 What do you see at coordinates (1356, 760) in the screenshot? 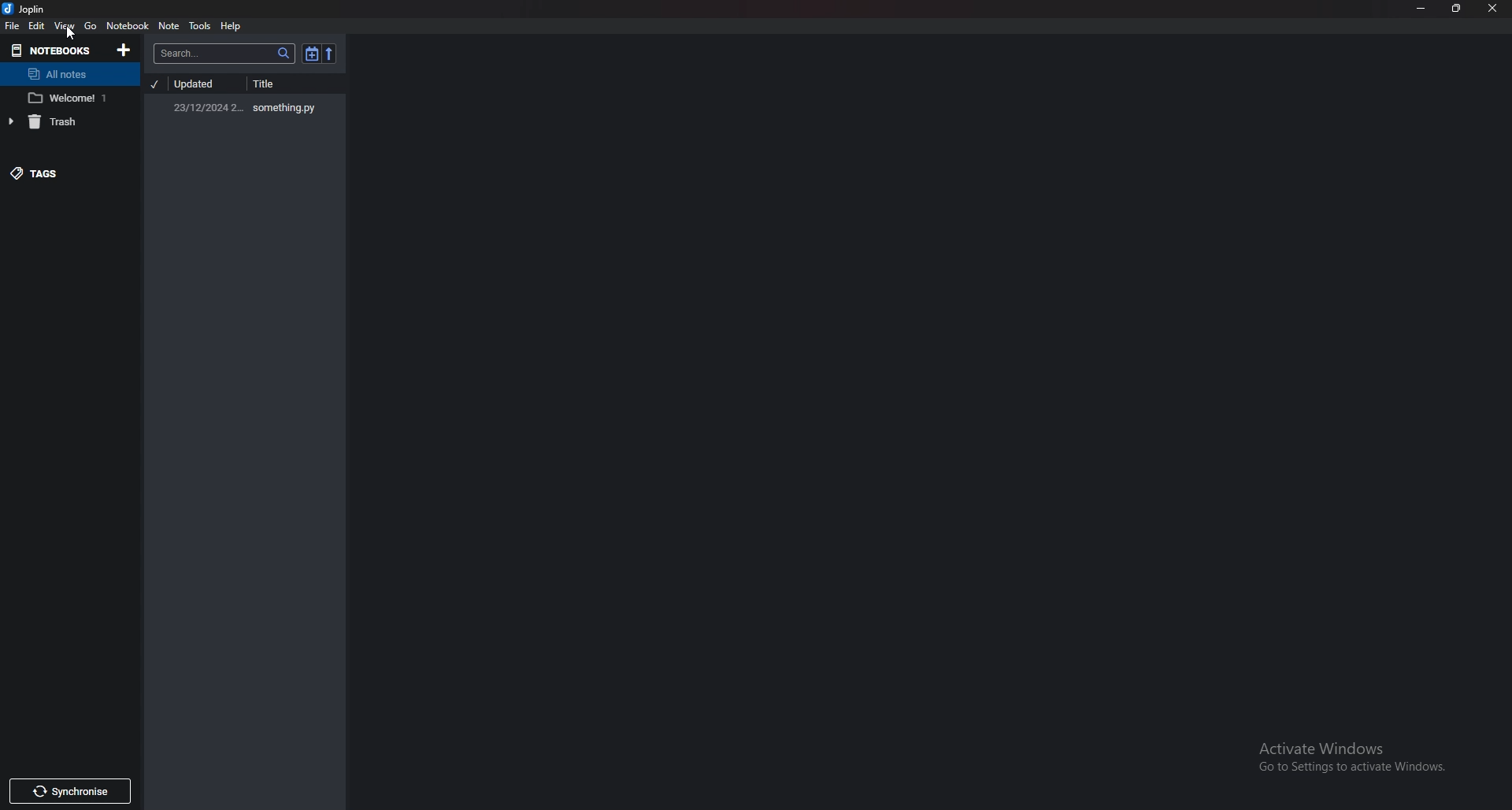
I see `activate windows` at bounding box center [1356, 760].